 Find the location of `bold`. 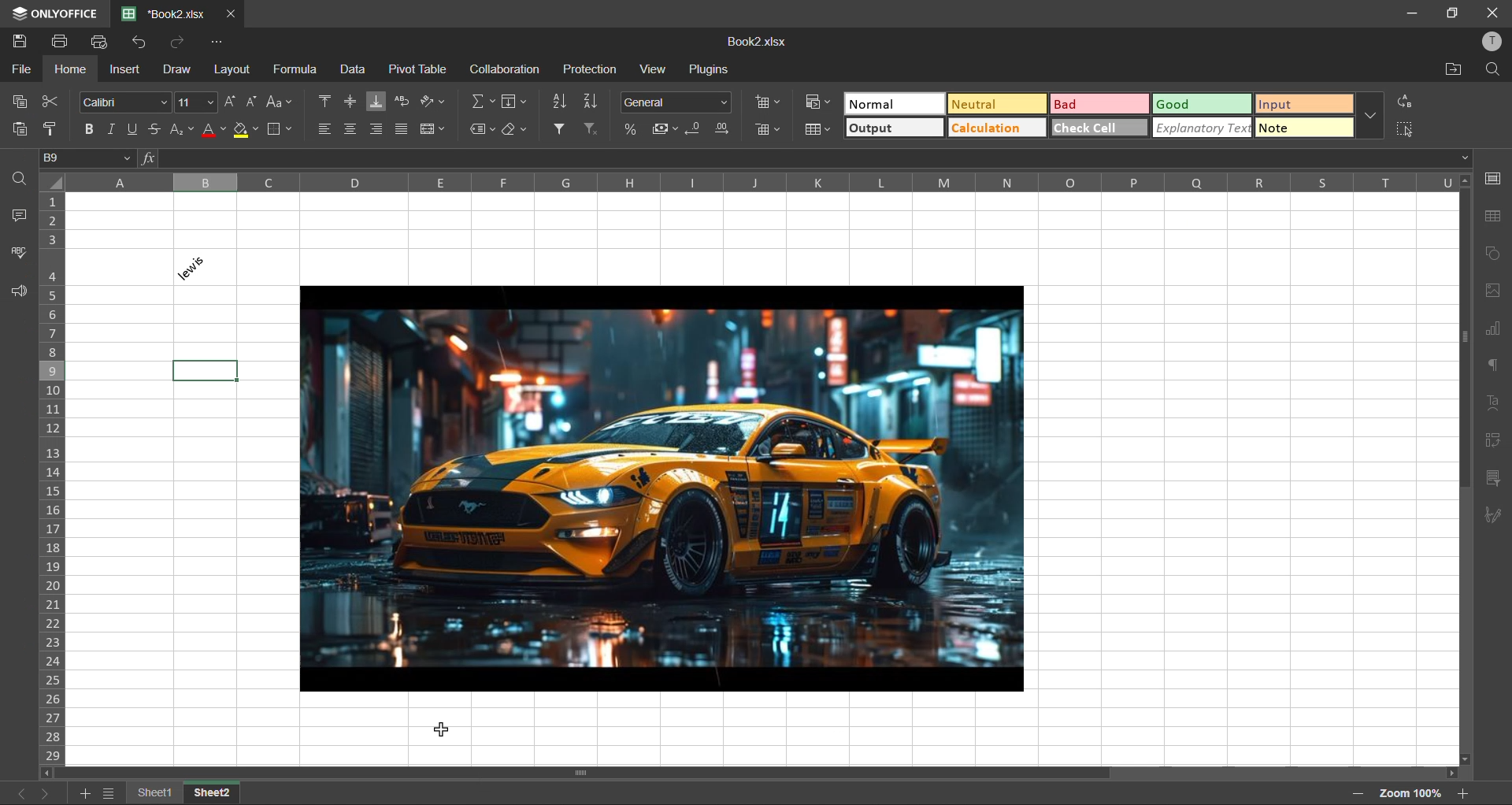

bold is located at coordinates (87, 129).